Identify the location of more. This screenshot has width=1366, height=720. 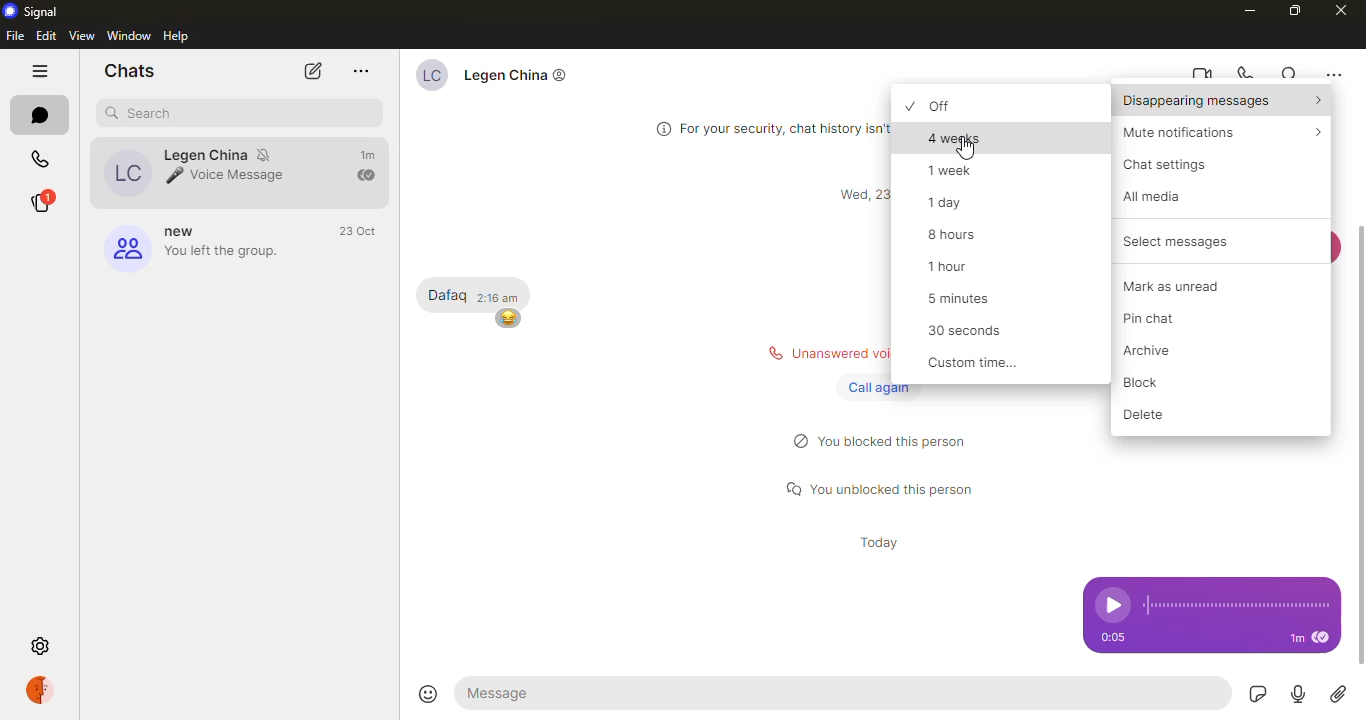
(360, 71).